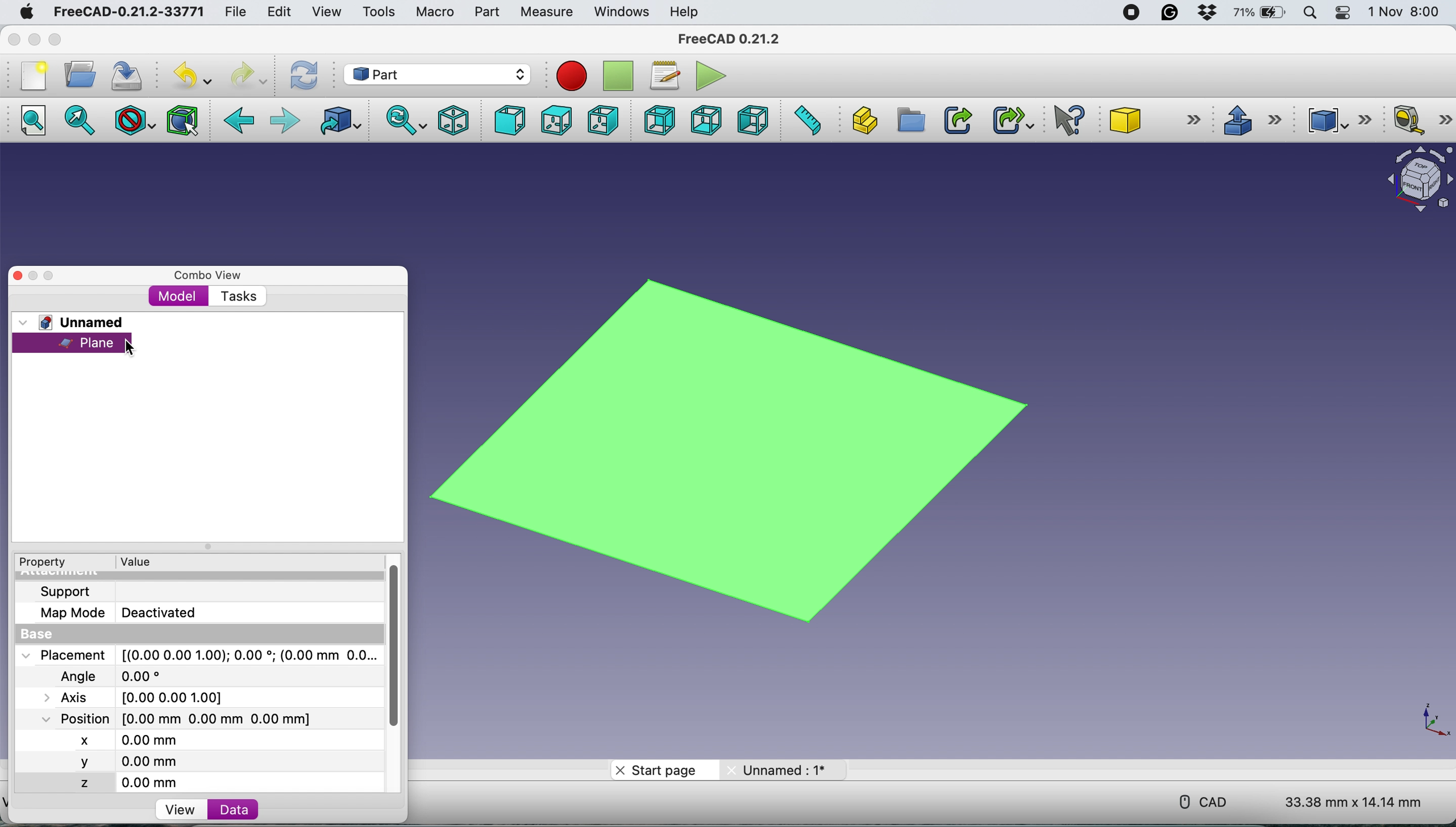 The image size is (1456, 827). I want to click on part, so click(487, 11).